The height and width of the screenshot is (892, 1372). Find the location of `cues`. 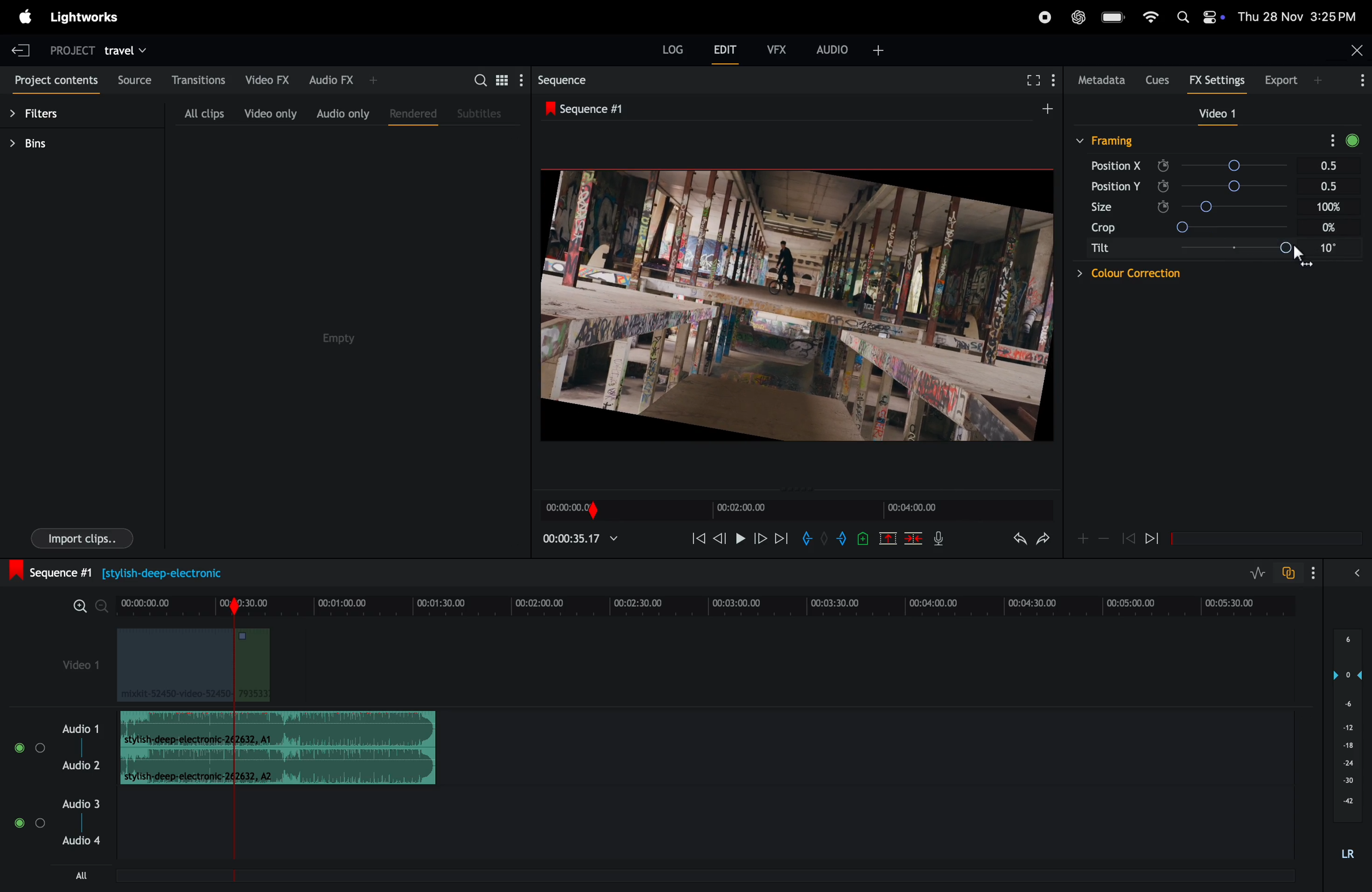

cues is located at coordinates (1157, 80).